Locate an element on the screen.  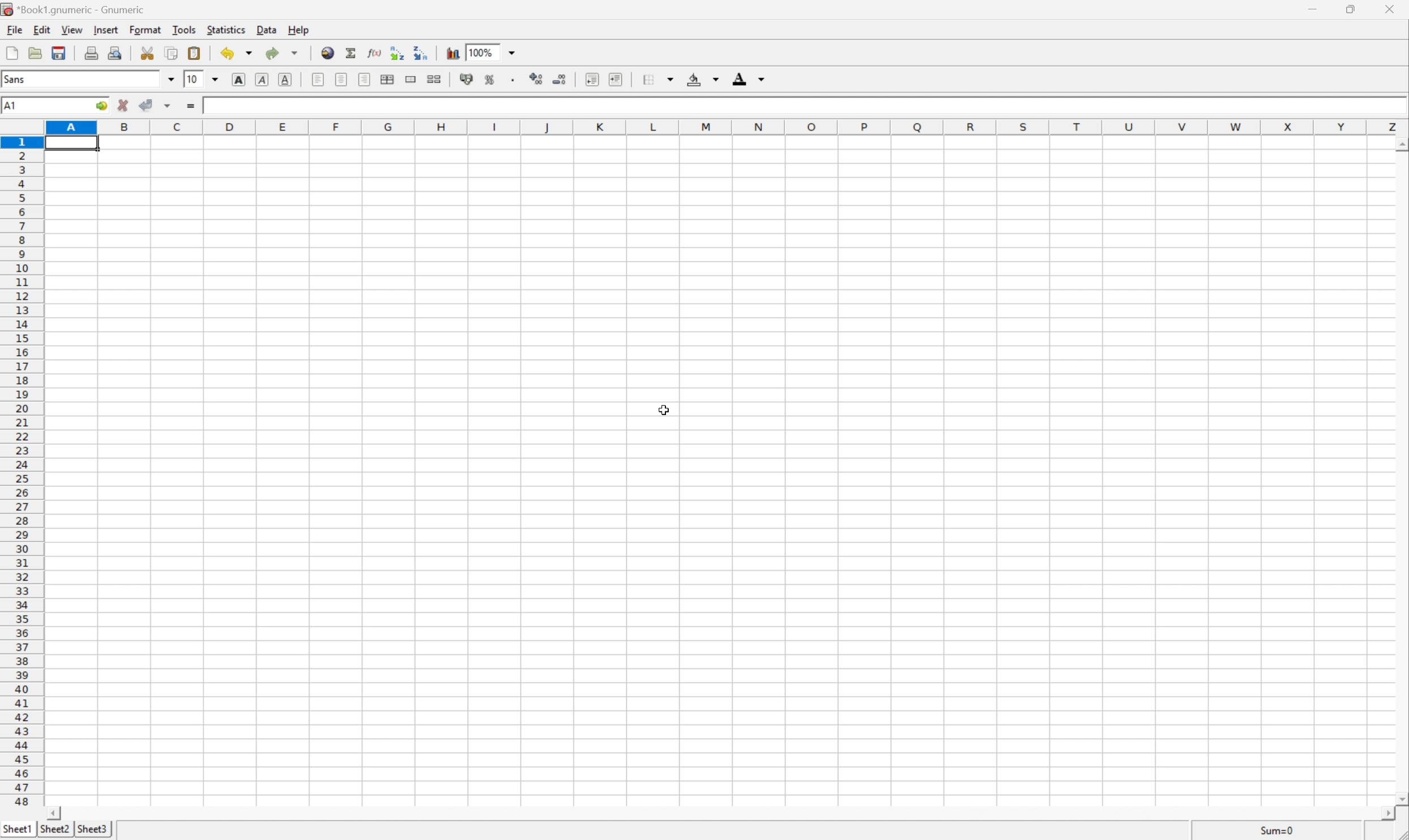
Cursor is located at coordinates (666, 410).